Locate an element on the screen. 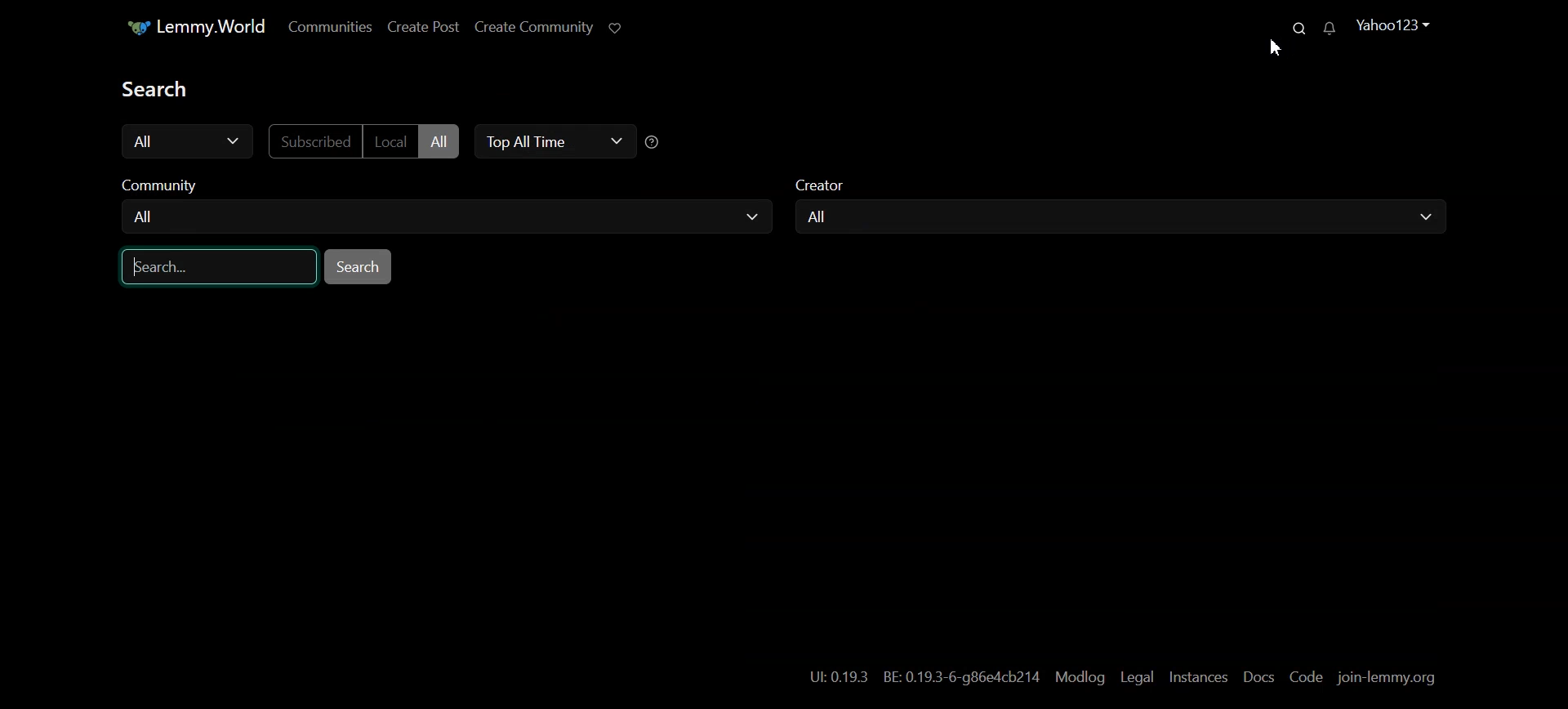 Image resolution: width=1568 pixels, height=709 pixels. All is located at coordinates (445, 216).